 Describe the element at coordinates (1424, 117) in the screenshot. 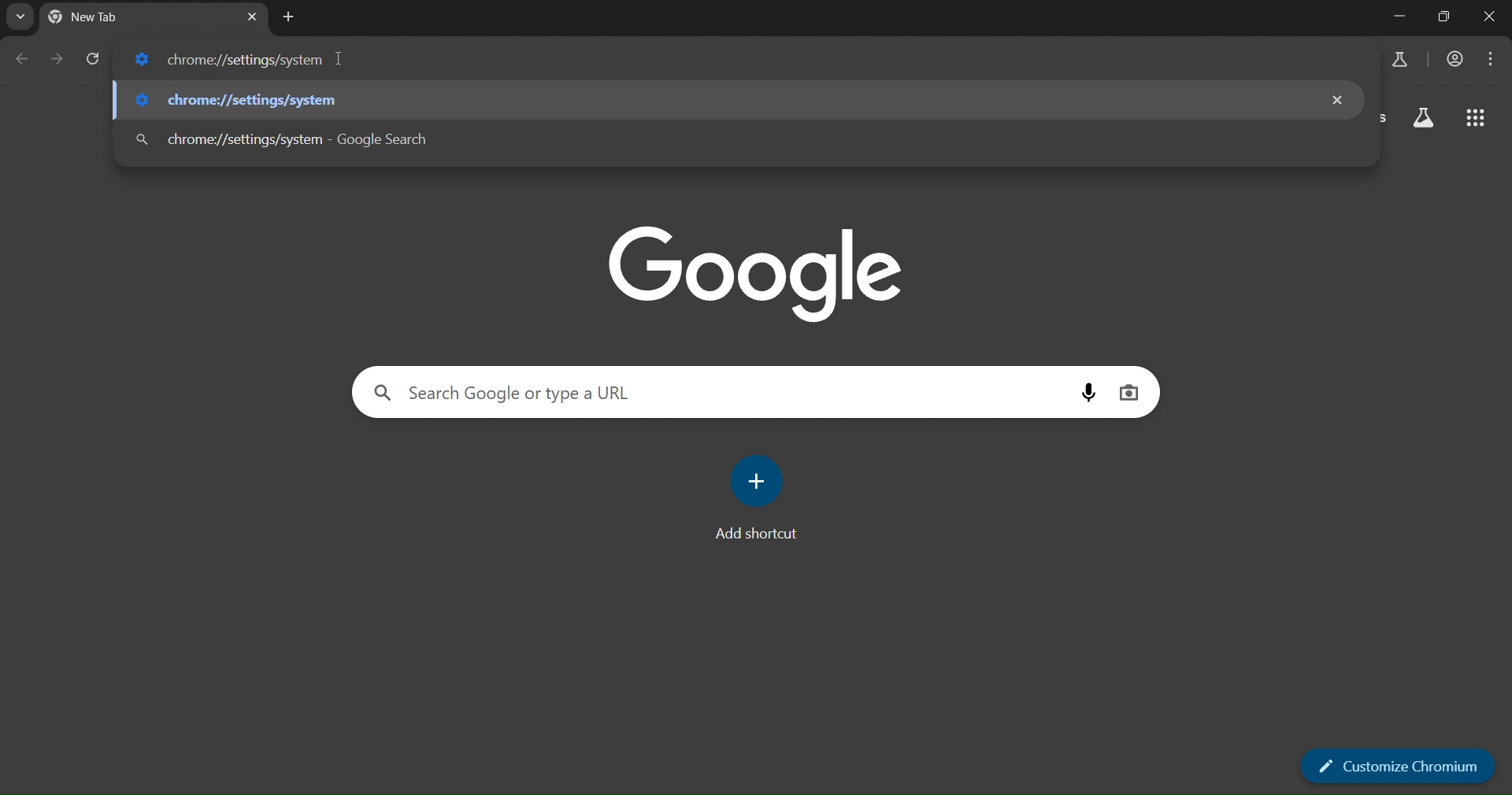

I see `search labs` at that location.